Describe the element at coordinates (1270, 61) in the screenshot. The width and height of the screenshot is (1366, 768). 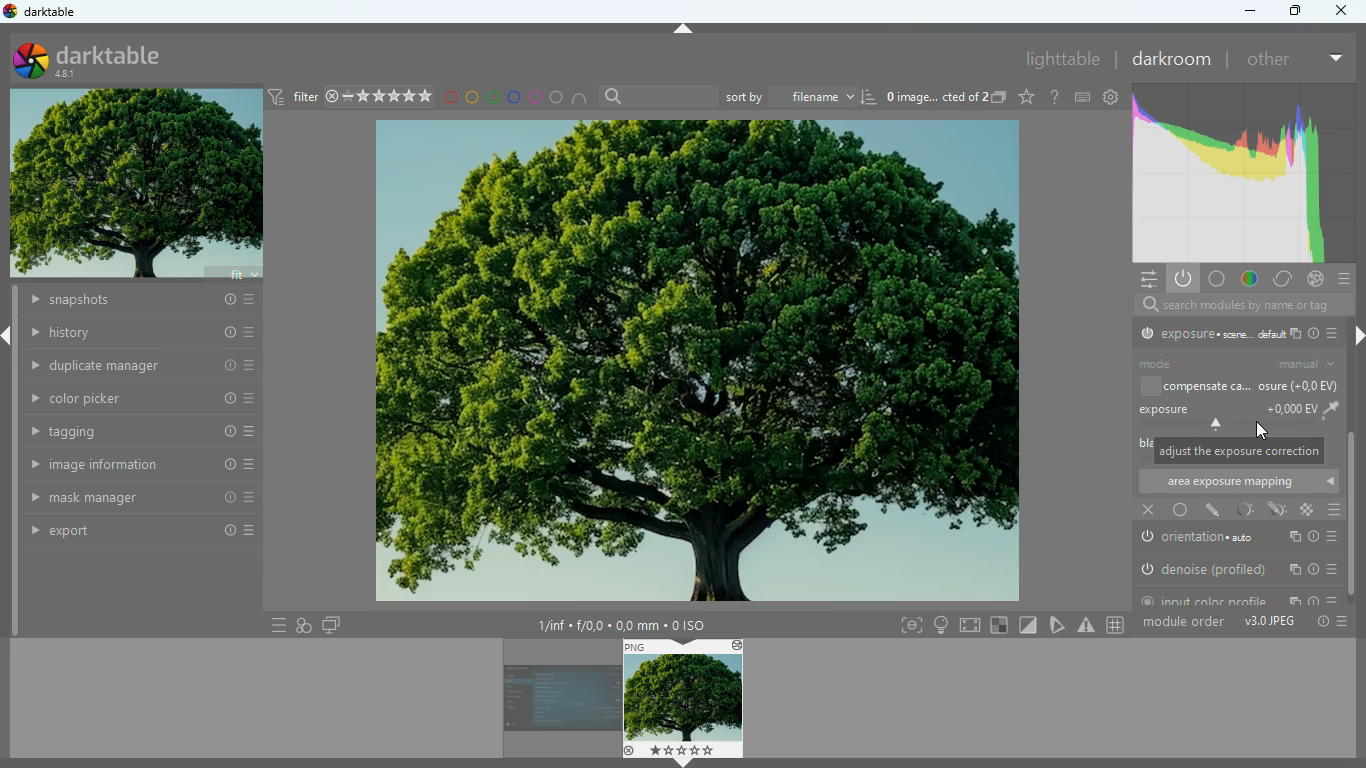
I see `other` at that location.